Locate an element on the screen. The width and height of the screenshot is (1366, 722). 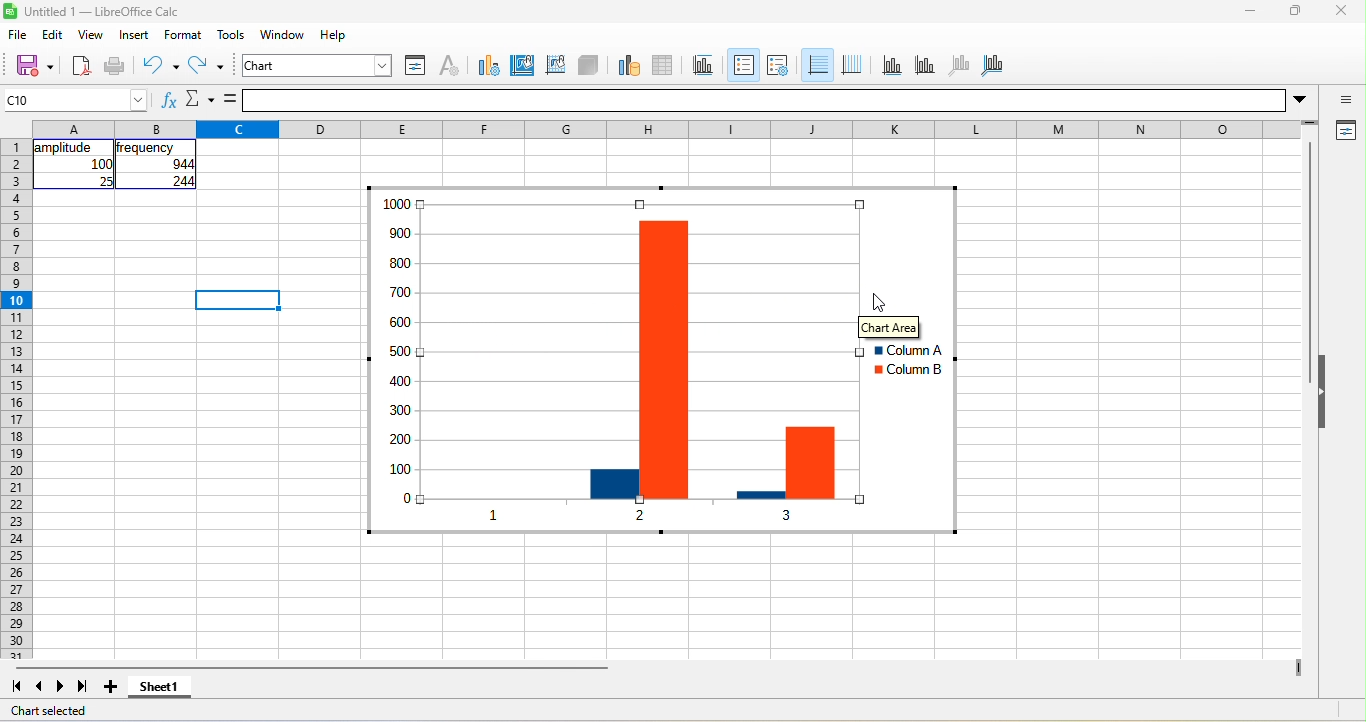
sidebar settings is located at coordinates (1346, 101).